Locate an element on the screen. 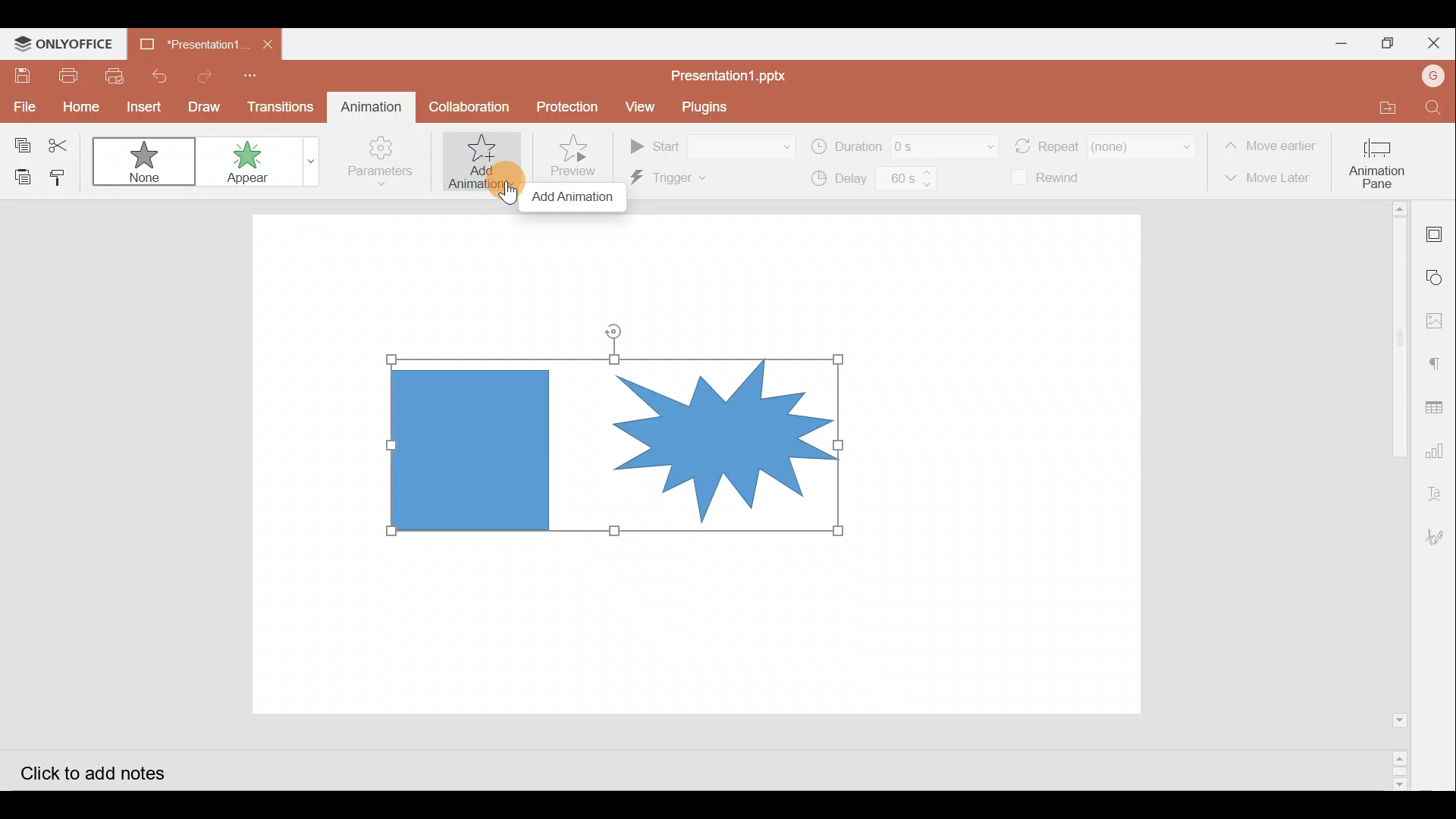 The image size is (1456, 819). Close document is located at coordinates (268, 44).